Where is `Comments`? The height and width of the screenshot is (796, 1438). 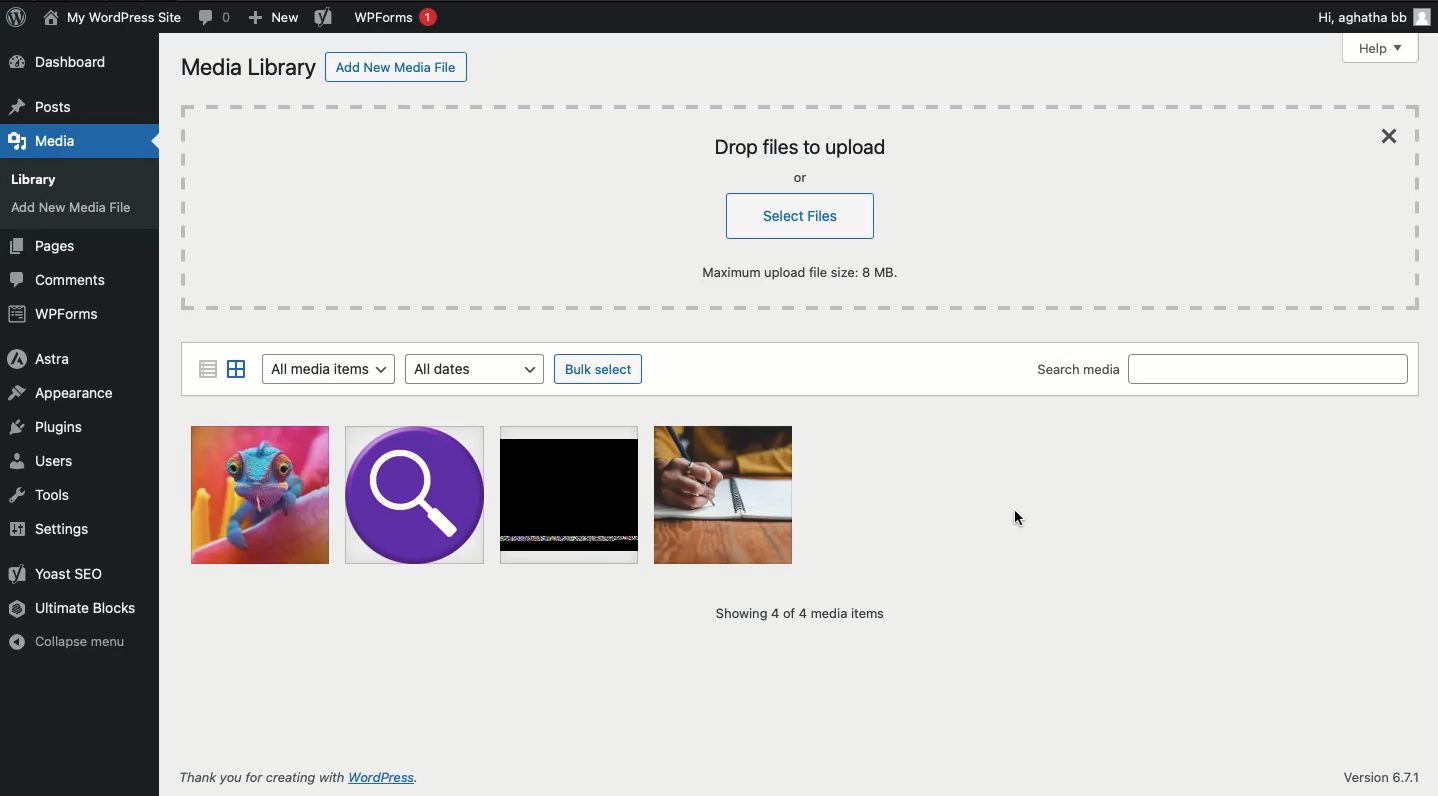 Comments is located at coordinates (216, 17).